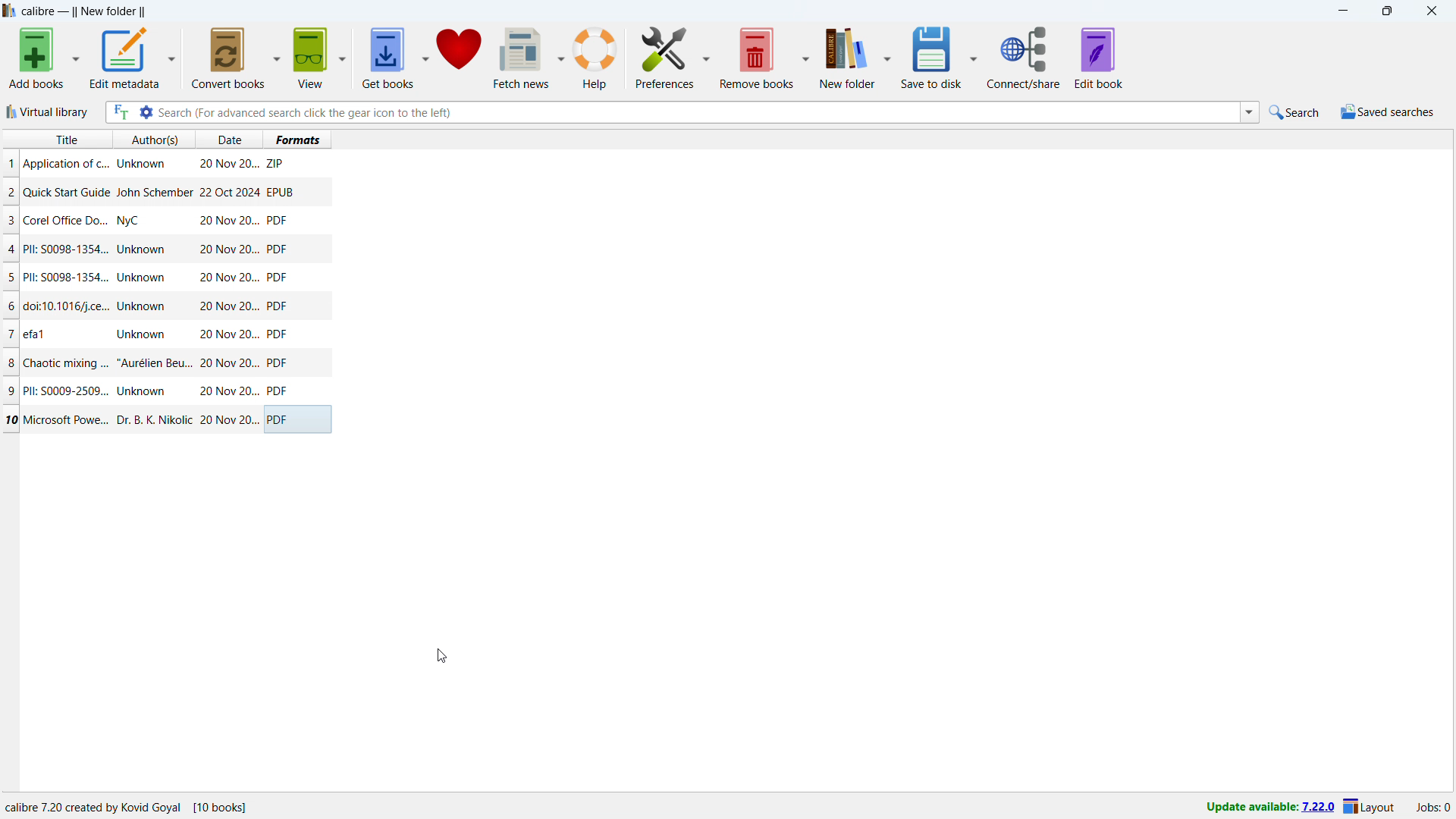  Describe the element at coordinates (66, 249) in the screenshot. I see `PII: S0098-1354...` at that location.